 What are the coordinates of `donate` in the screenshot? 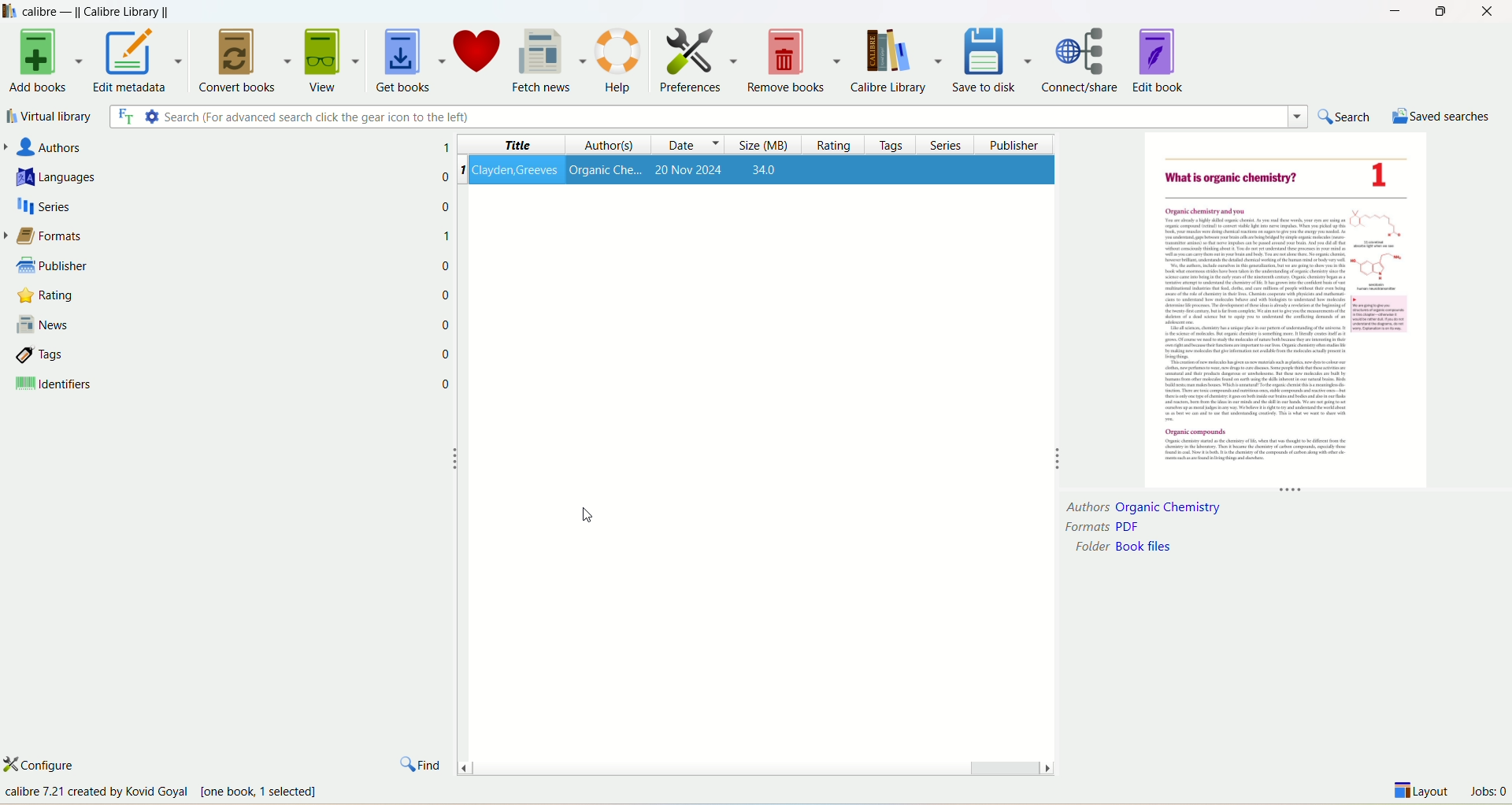 It's located at (480, 57).